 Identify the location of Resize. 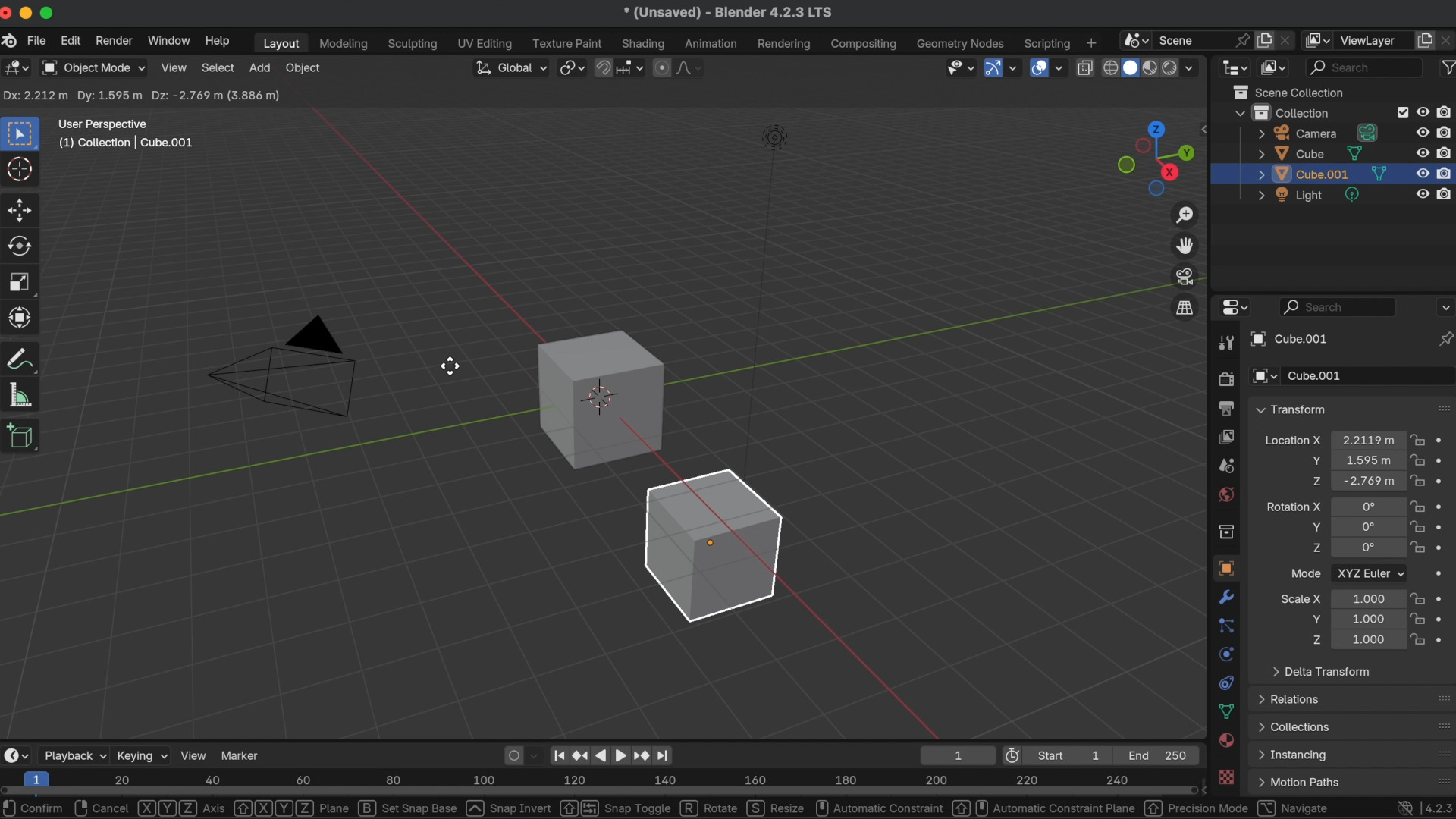
(777, 808).